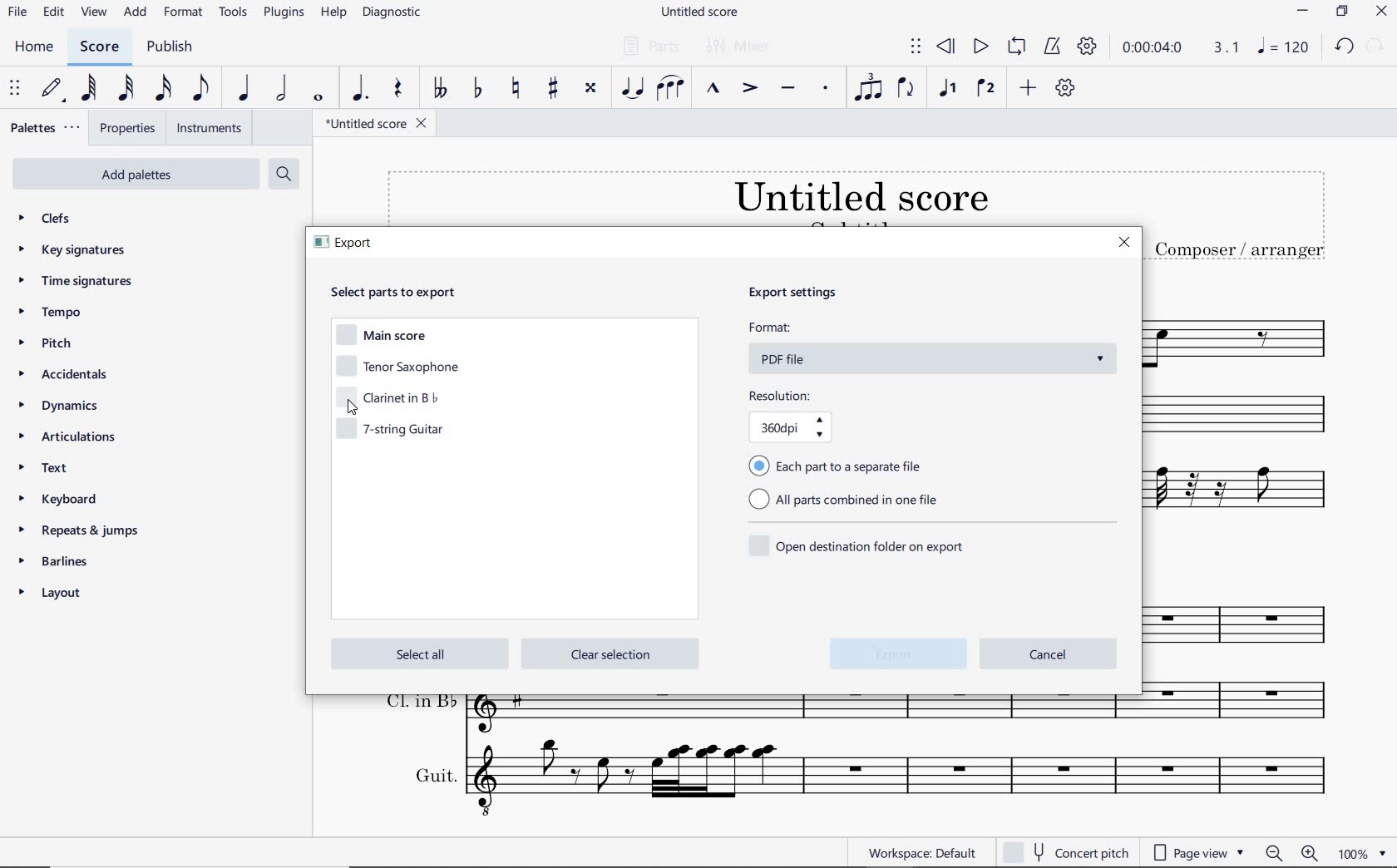 This screenshot has width=1397, height=868. Describe the element at coordinates (1246, 620) in the screenshot. I see `T. Sax` at that location.